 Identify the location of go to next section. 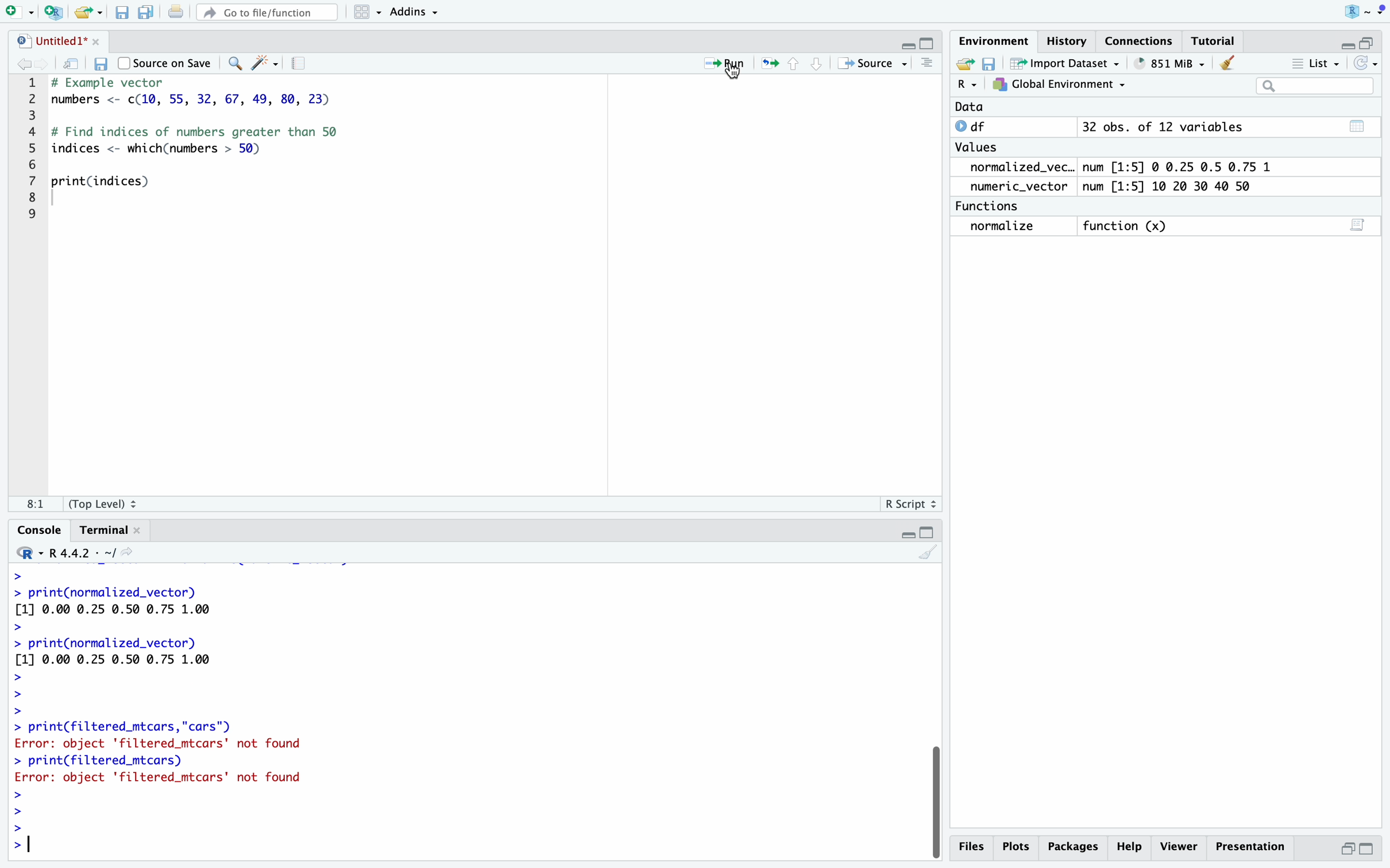
(817, 63).